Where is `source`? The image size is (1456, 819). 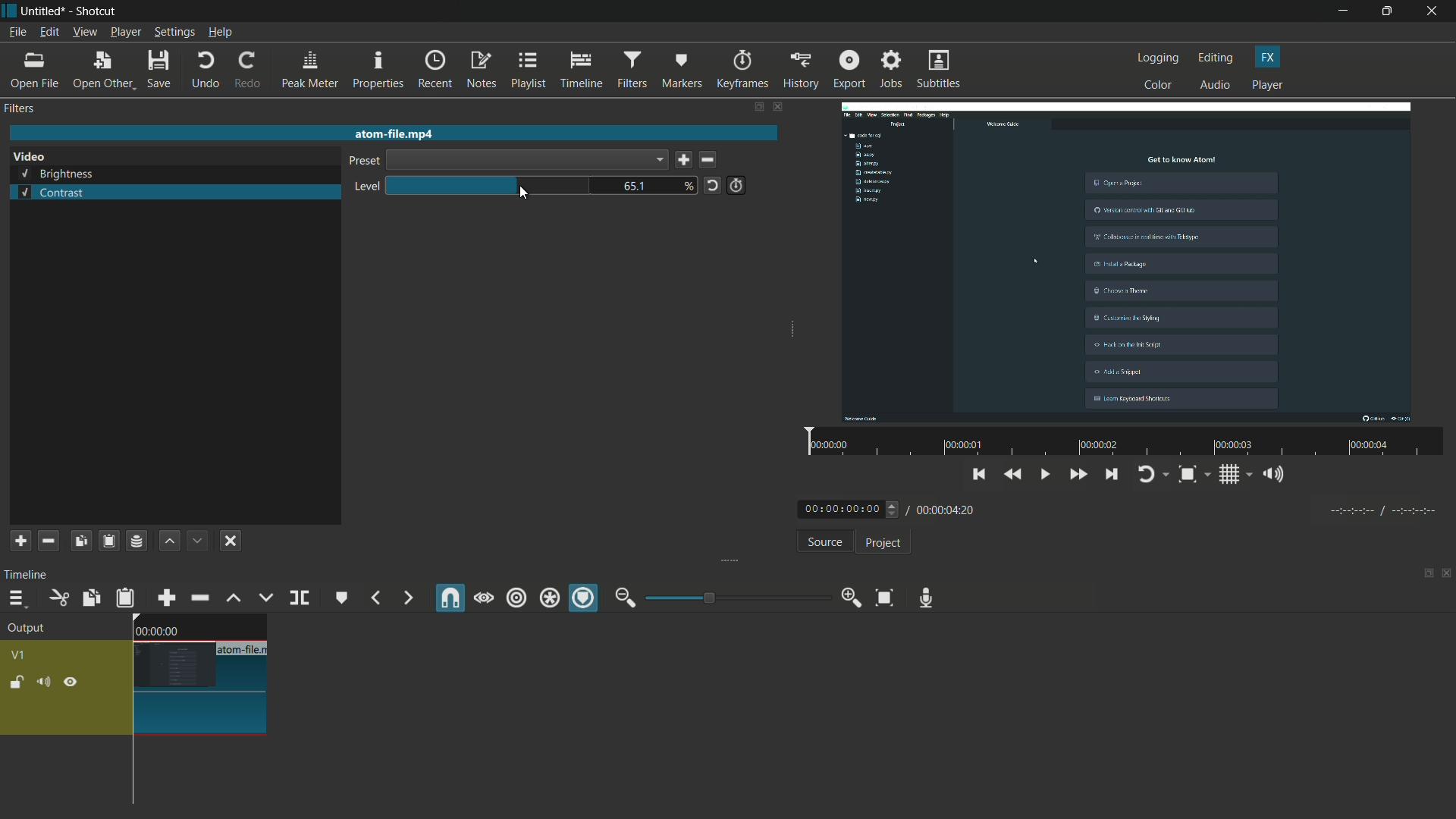 source is located at coordinates (824, 544).